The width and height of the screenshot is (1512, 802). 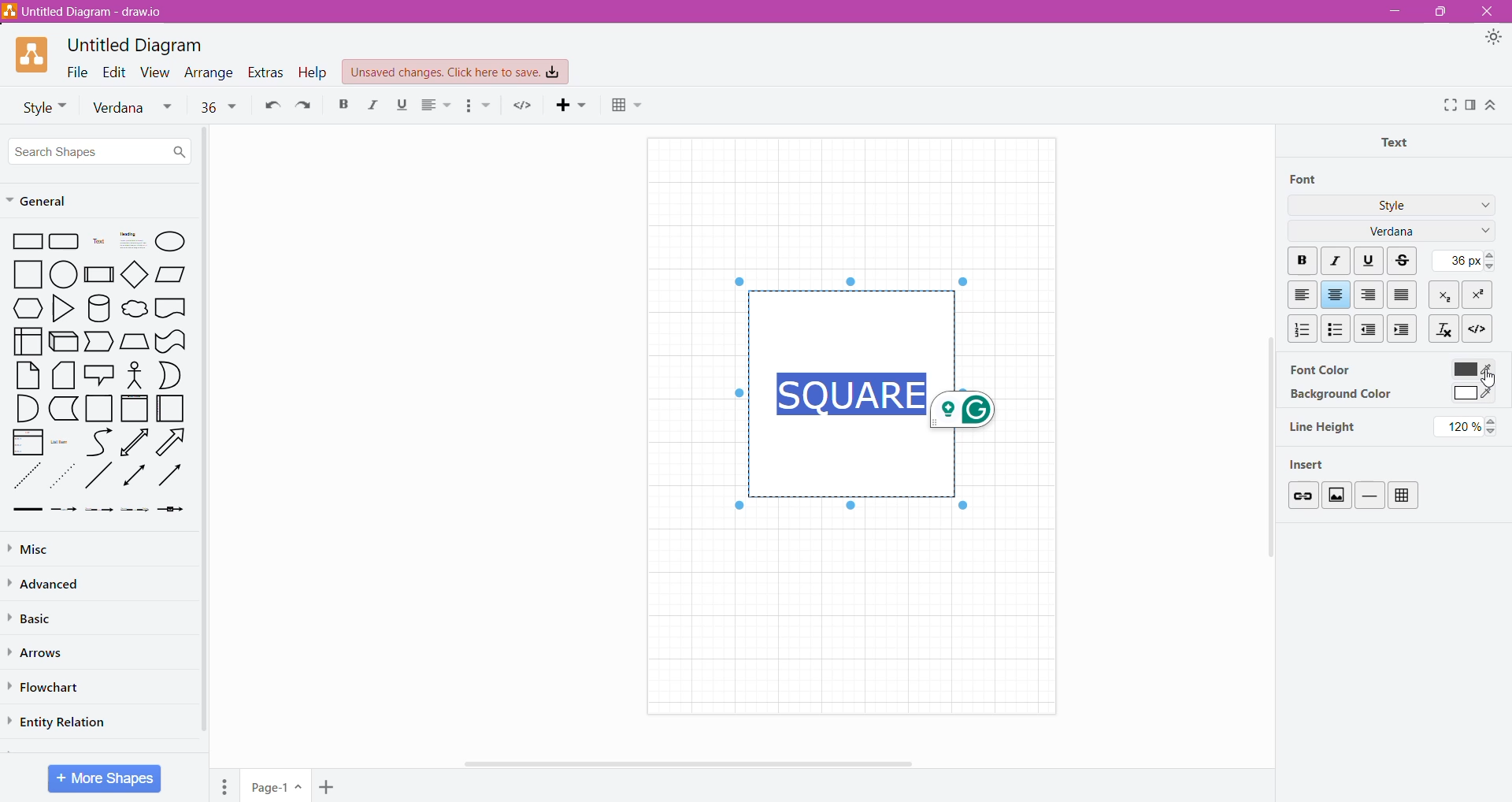 I want to click on Speech Bubble, so click(x=101, y=373).